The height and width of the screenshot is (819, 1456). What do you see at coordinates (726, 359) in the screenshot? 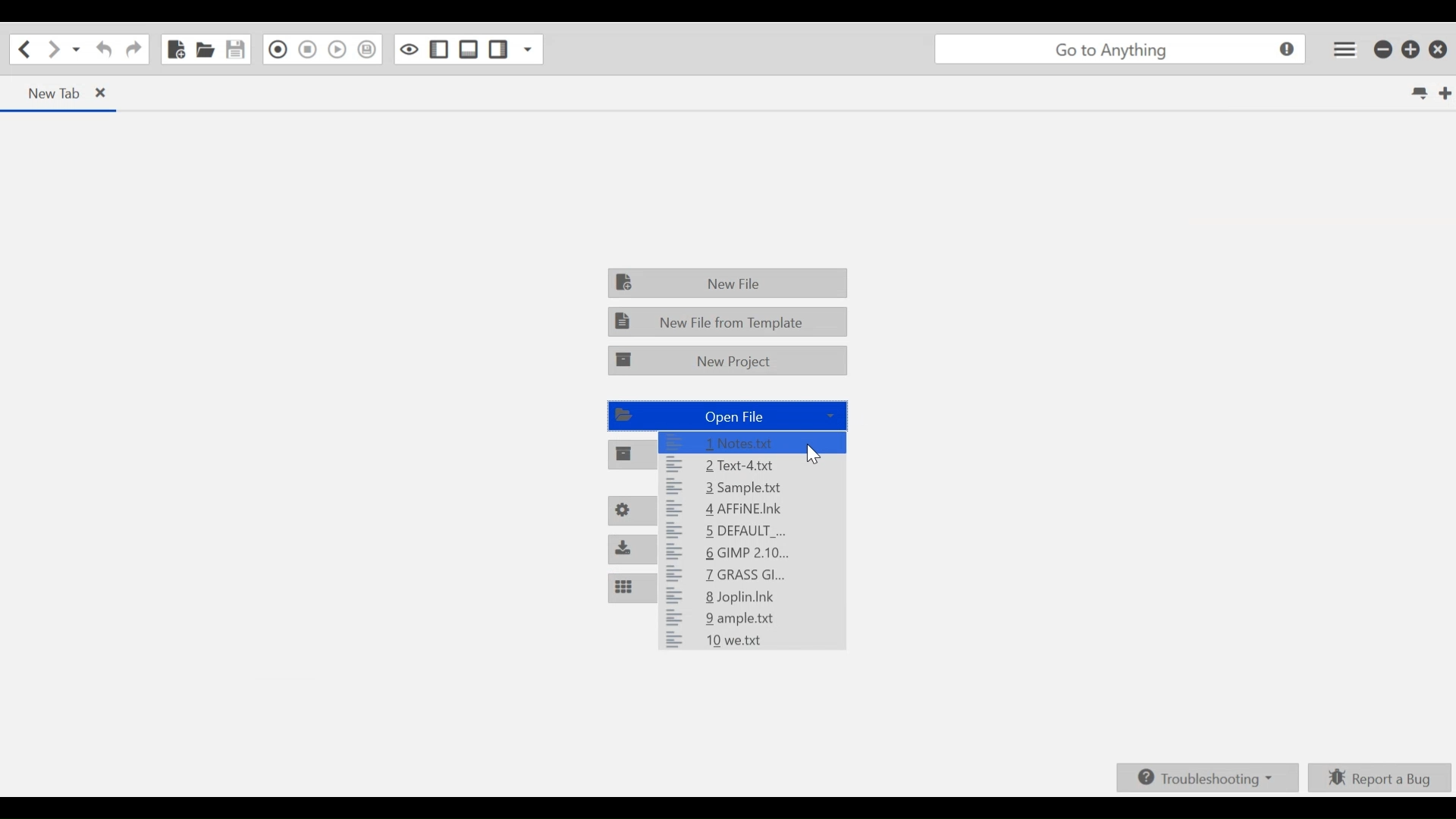
I see `New Project` at bounding box center [726, 359].